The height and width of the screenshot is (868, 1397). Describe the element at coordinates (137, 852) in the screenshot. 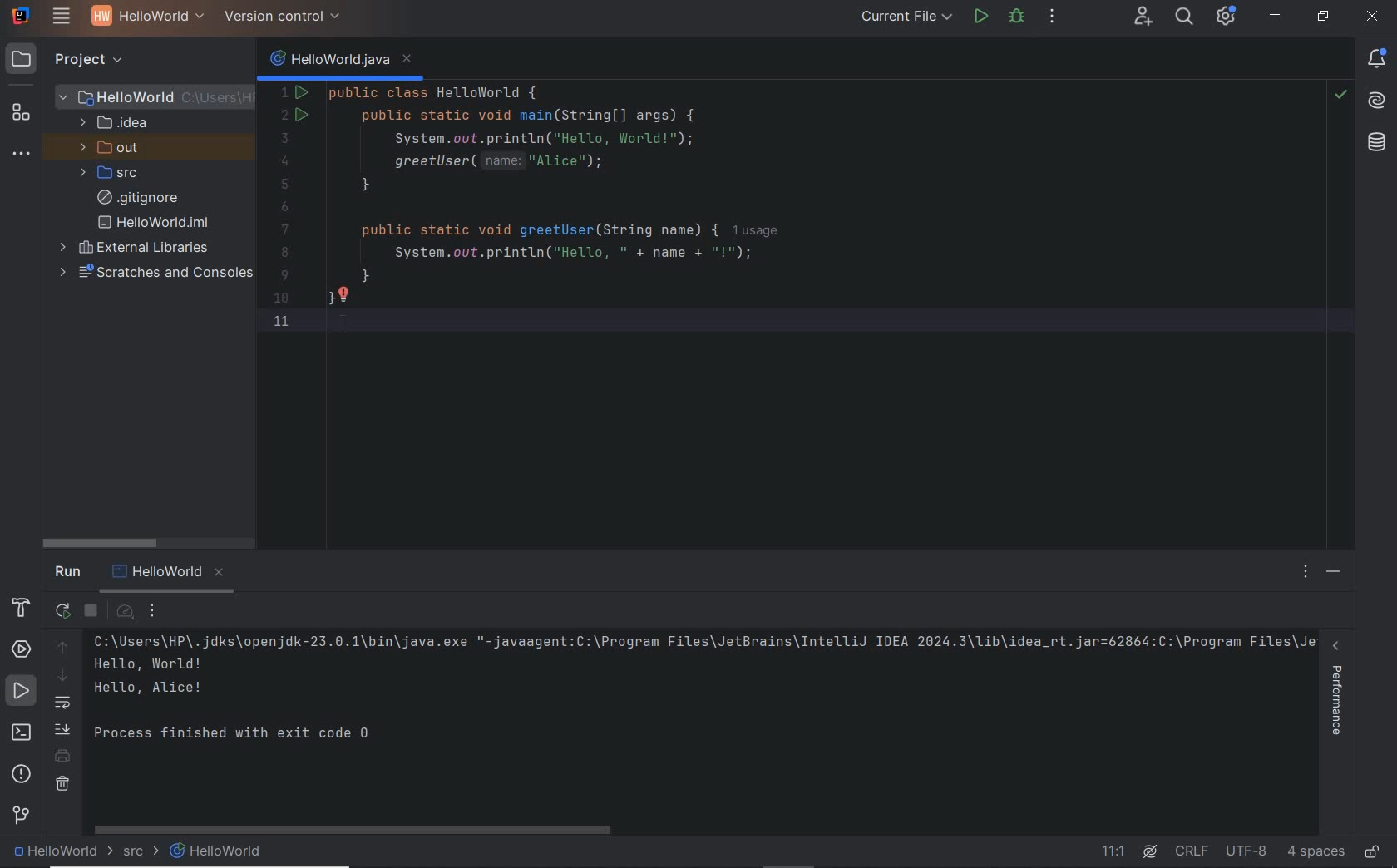

I see `src` at that location.